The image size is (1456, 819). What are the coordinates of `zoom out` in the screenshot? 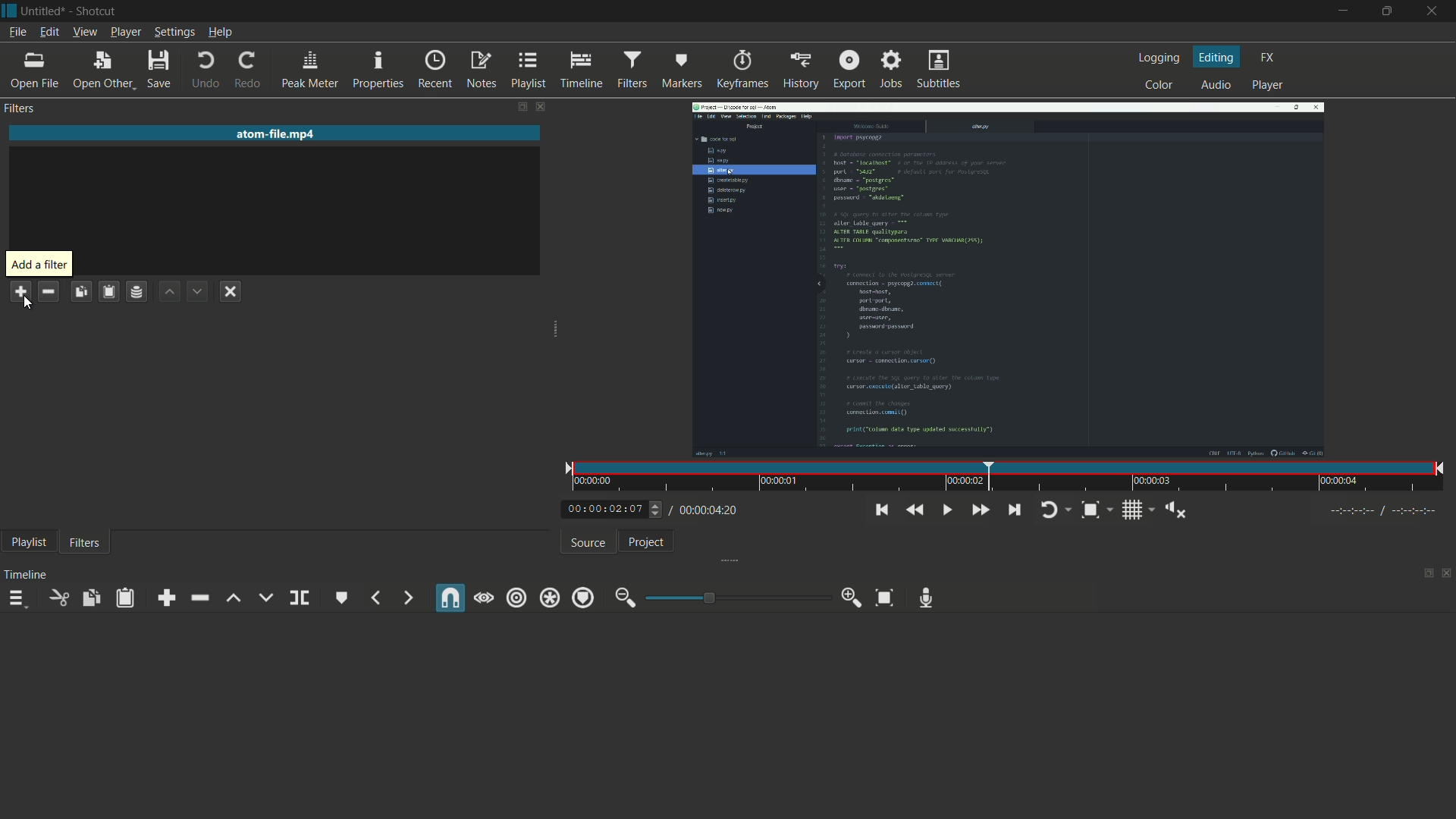 It's located at (626, 598).